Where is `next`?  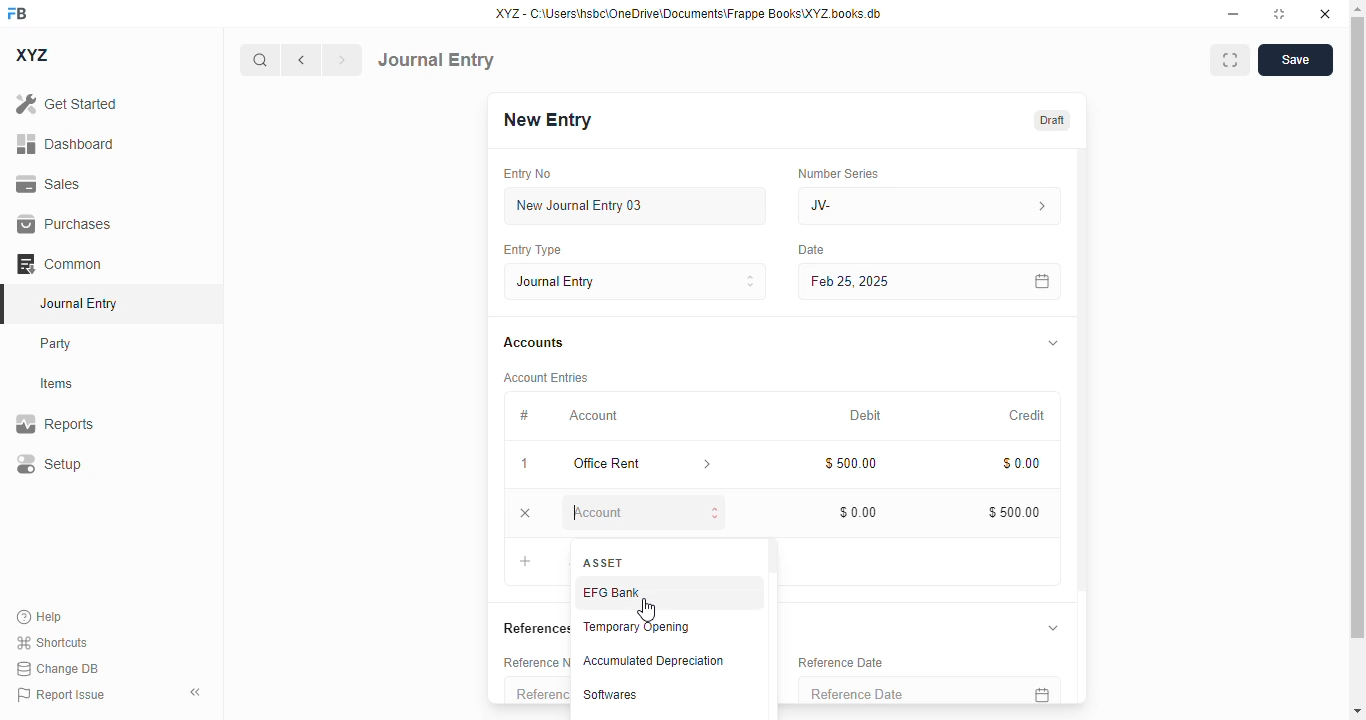 next is located at coordinates (343, 60).